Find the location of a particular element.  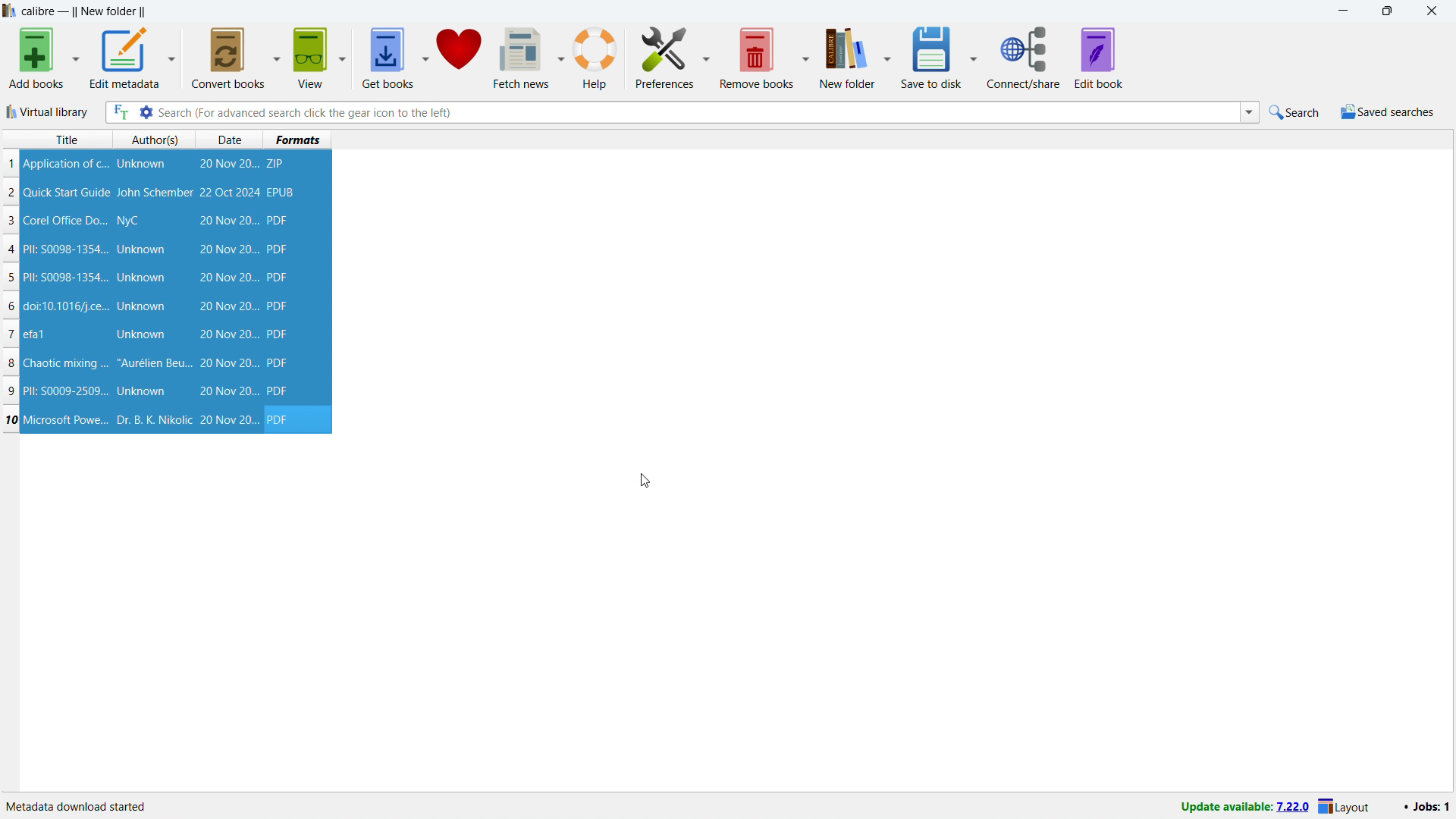

20 Nov 20... is located at coordinates (228, 420).